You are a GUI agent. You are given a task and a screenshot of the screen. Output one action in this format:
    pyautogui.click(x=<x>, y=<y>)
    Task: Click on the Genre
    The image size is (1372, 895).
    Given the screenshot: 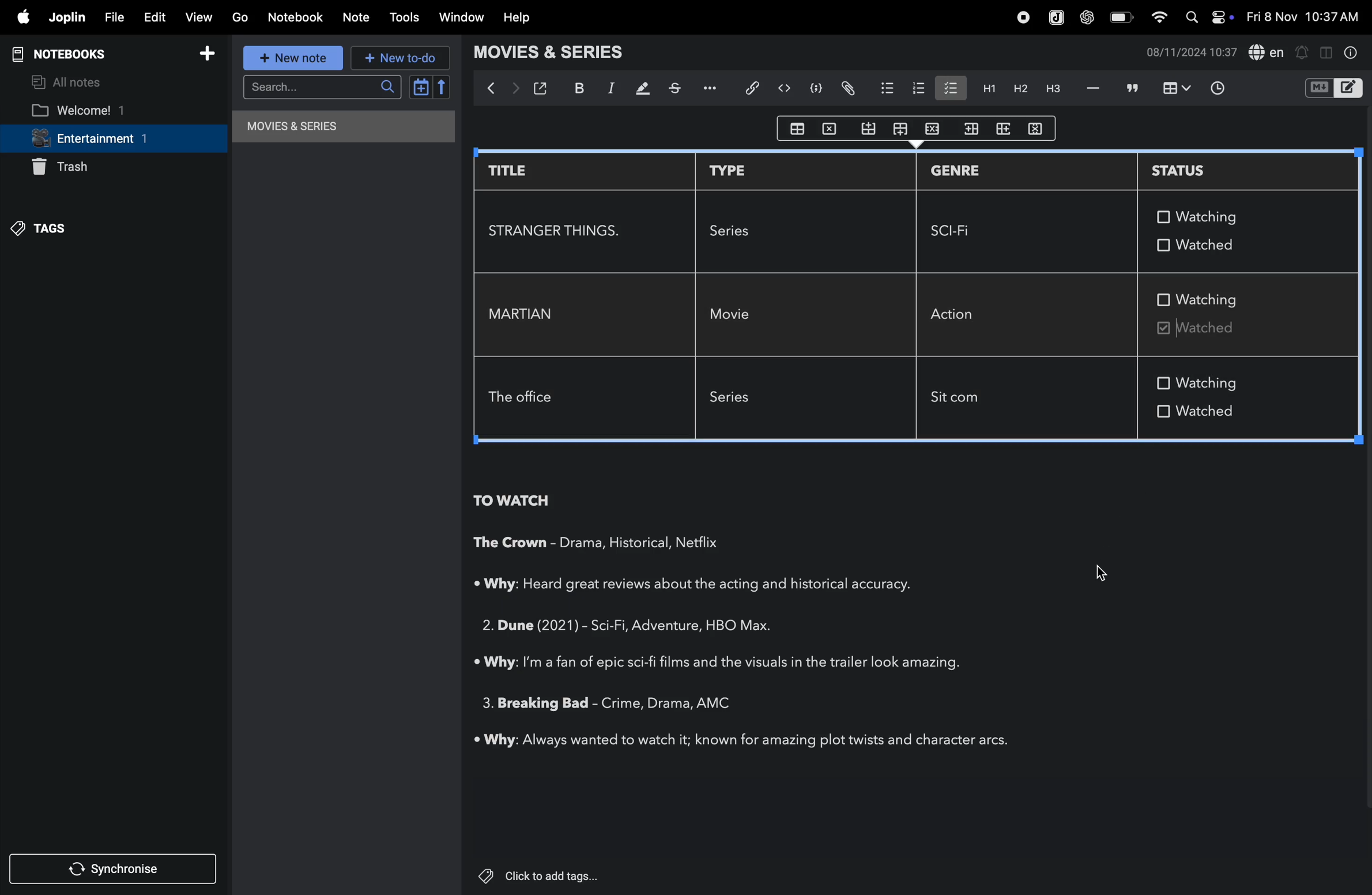 What is the action you would take?
    pyautogui.click(x=644, y=628)
    